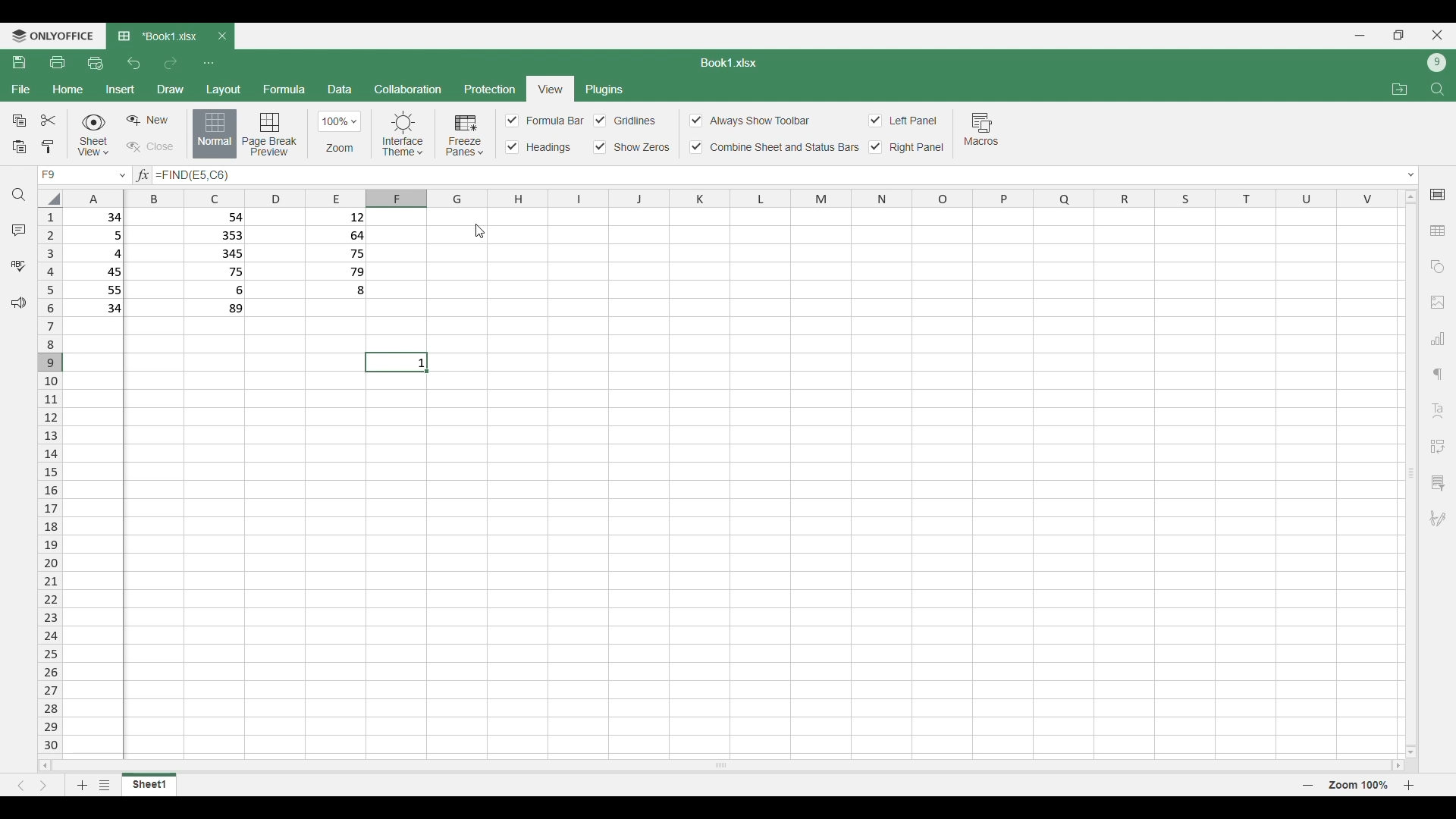 Image resolution: width=1456 pixels, height=819 pixels. Describe the element at coordinates (45, 786) in the screenshot. I see `Next` at that location.